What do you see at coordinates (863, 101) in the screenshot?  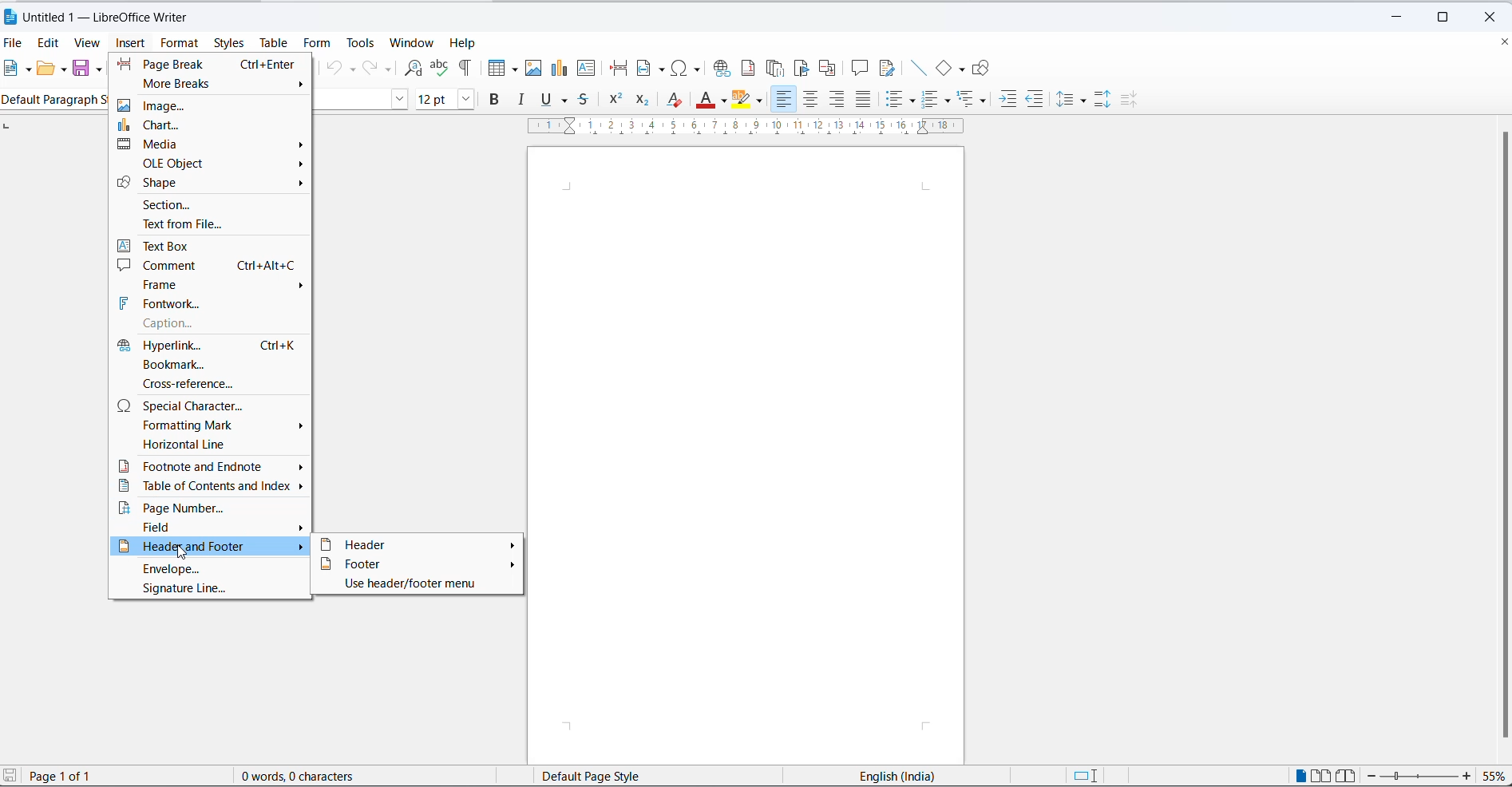 I see `justified` at bounding box center [863, 101].